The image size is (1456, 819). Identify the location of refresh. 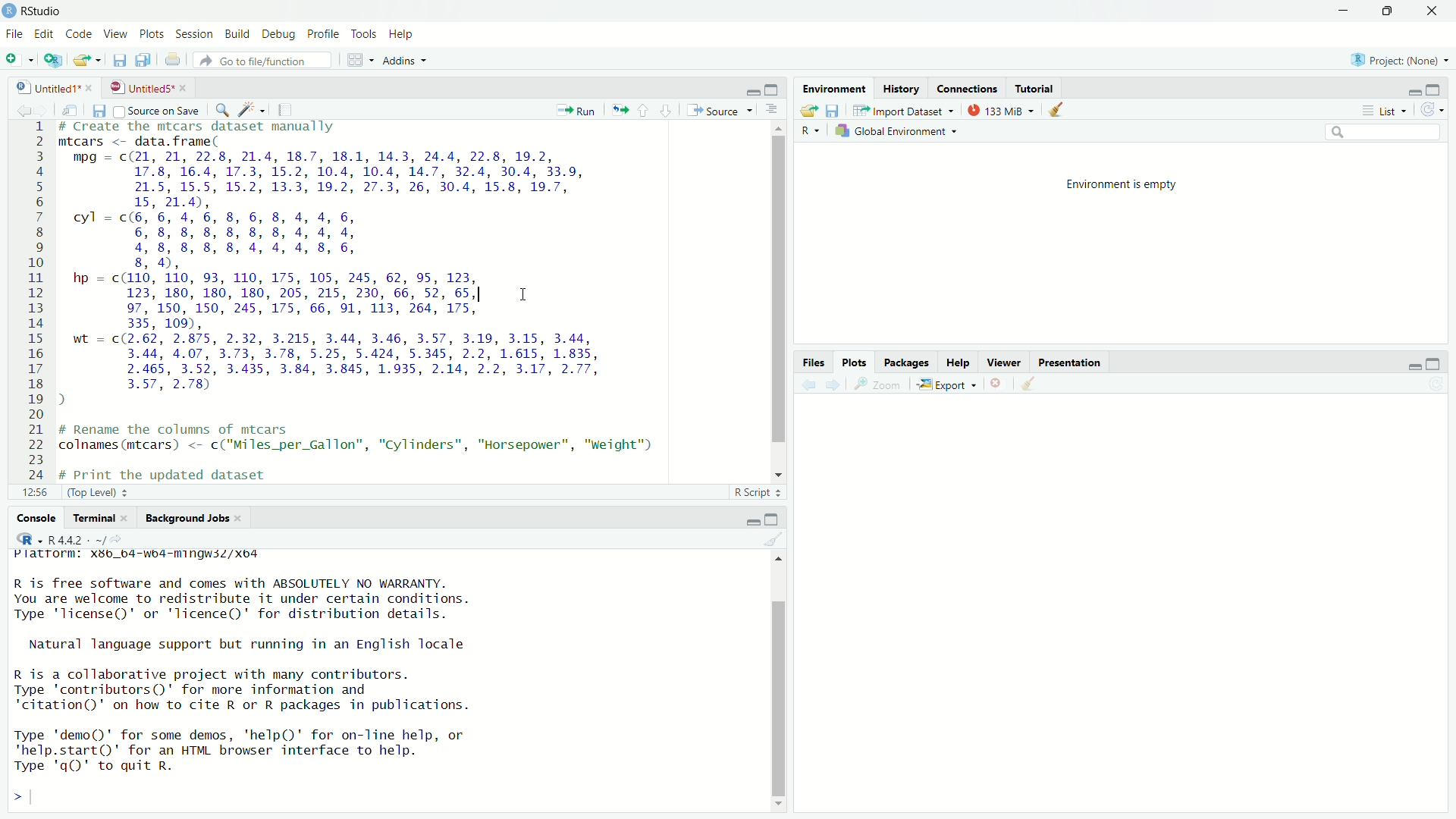
(1435, 110).